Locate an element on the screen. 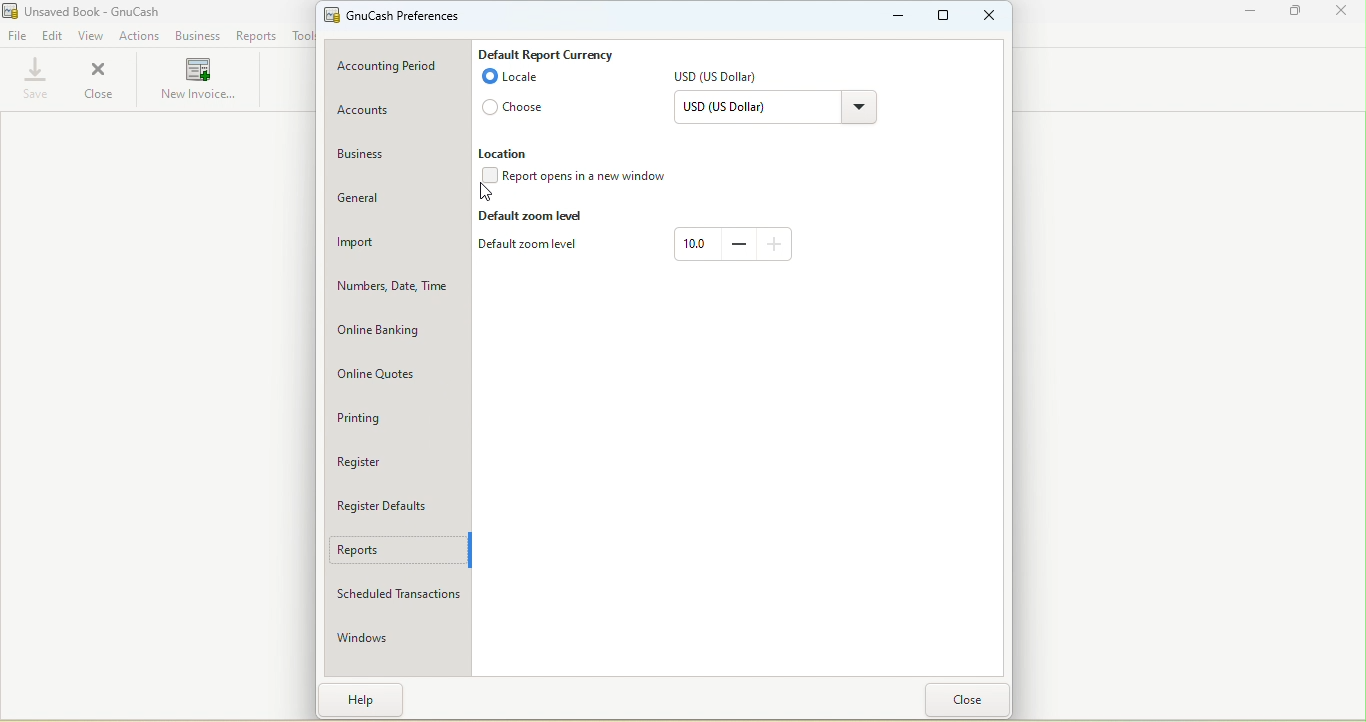  Minimize is located at coordinates (1252, 15).